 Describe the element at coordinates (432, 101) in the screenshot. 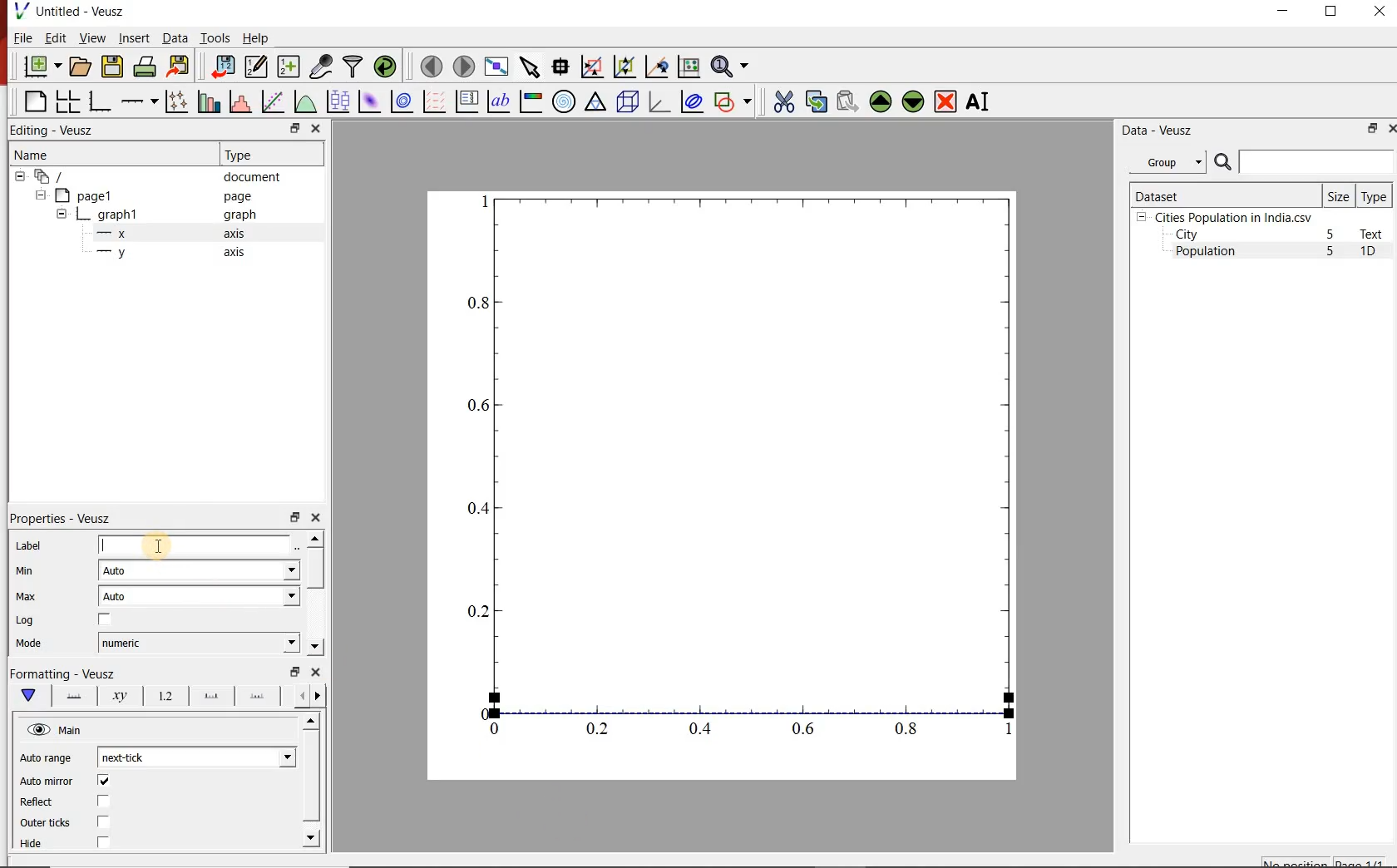

I see `plot a vector field` at that location.